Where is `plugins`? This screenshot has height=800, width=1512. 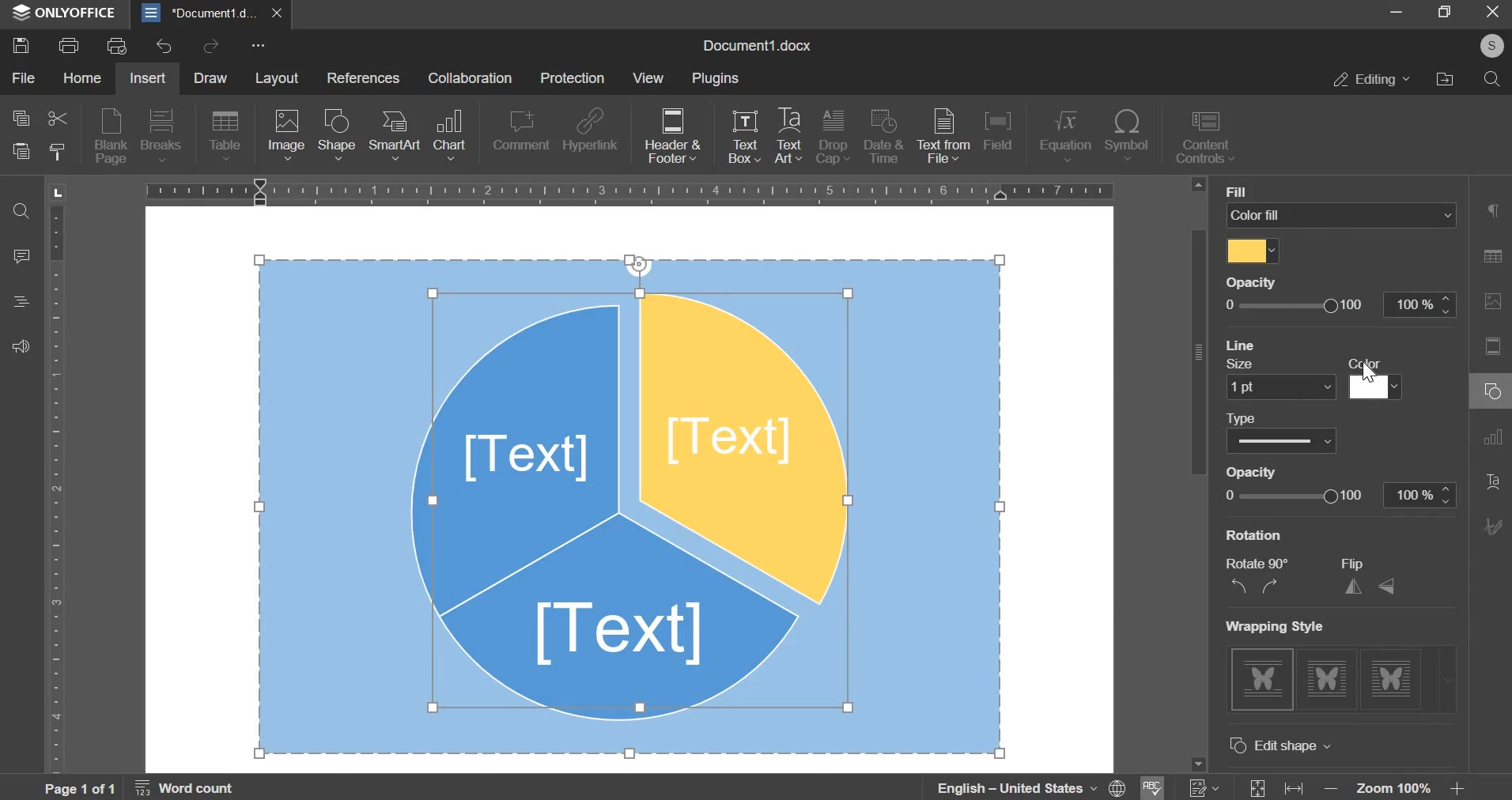 plugins is located at coordinates (717, 79).